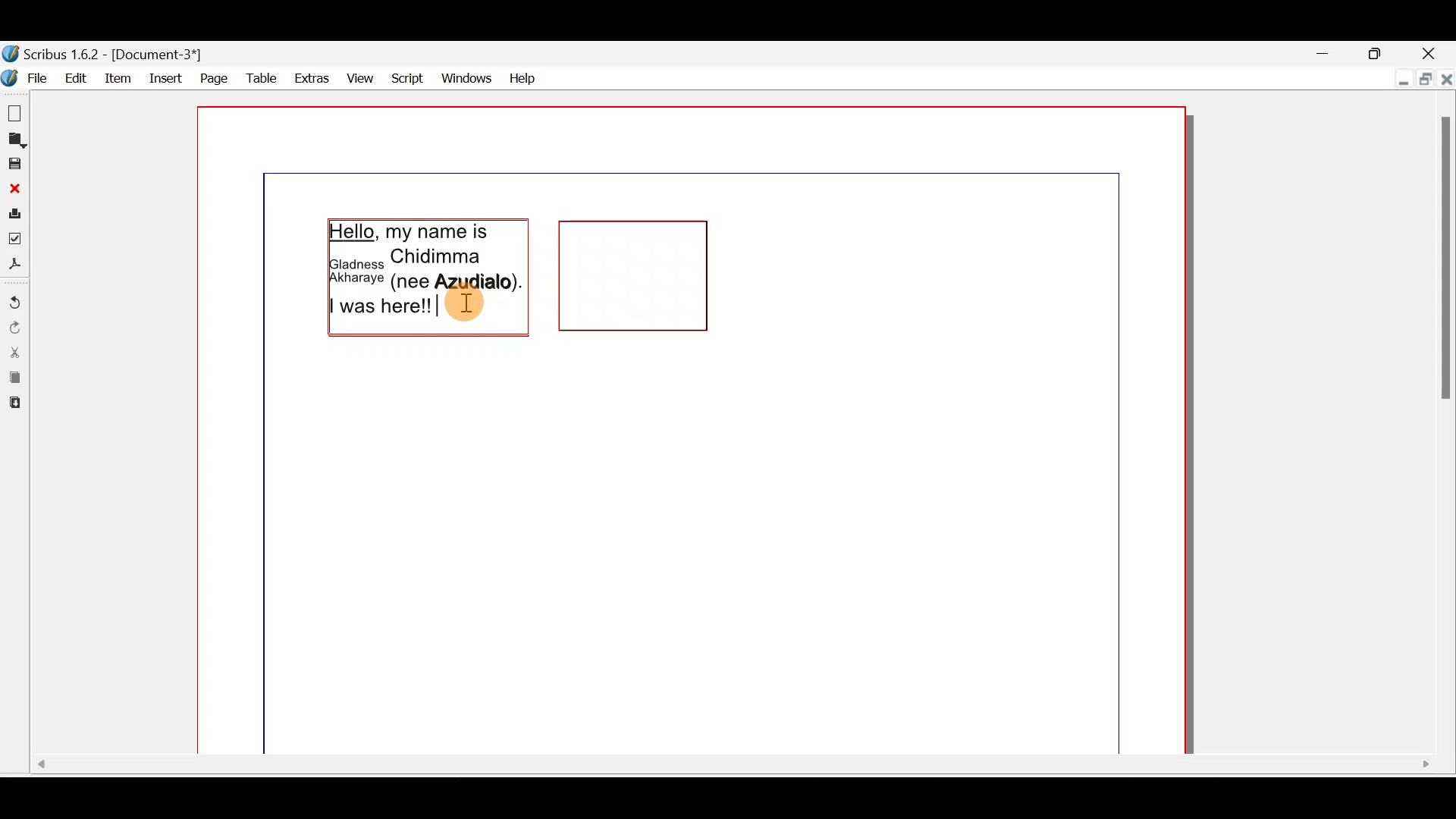  I want to click on Cut, so click(15, 352).